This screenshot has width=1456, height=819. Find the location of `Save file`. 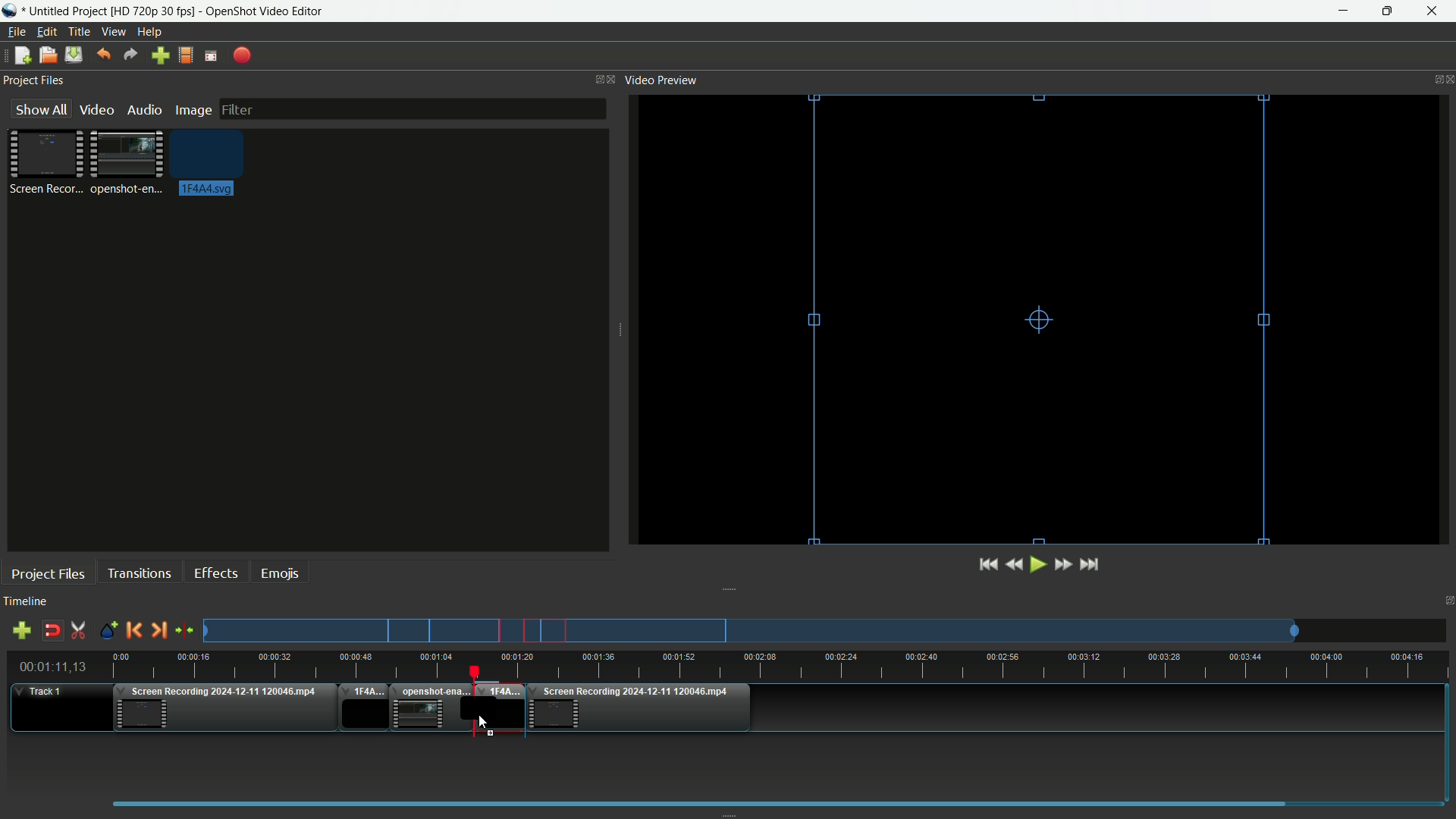

Save file is located at coordinates (74, 56).